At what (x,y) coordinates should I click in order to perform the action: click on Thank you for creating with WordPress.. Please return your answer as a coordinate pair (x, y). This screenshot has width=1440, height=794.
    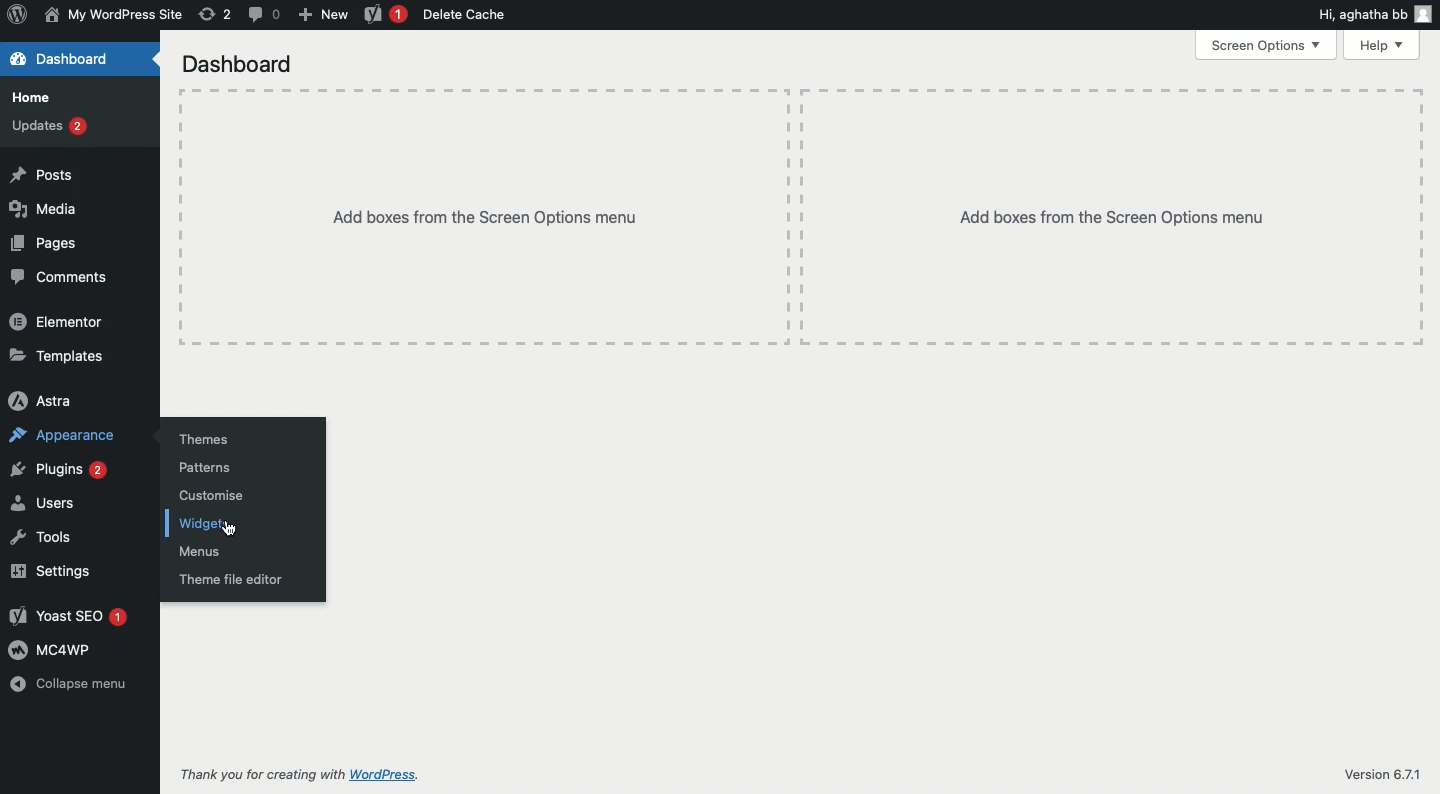
    Looking at the image, I should click on (301, 773).